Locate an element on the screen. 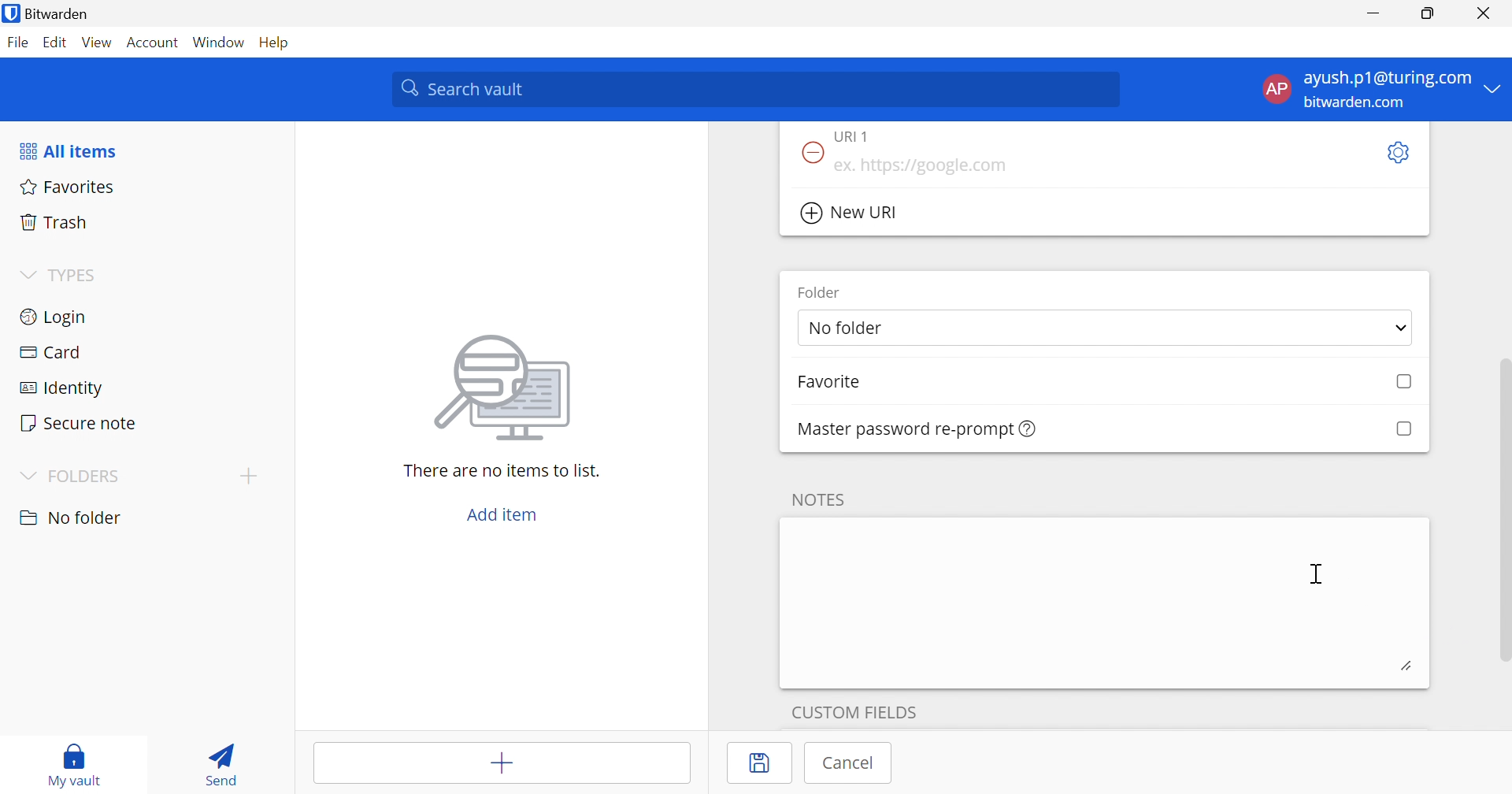  Edit is located at coordinates (54, 43).